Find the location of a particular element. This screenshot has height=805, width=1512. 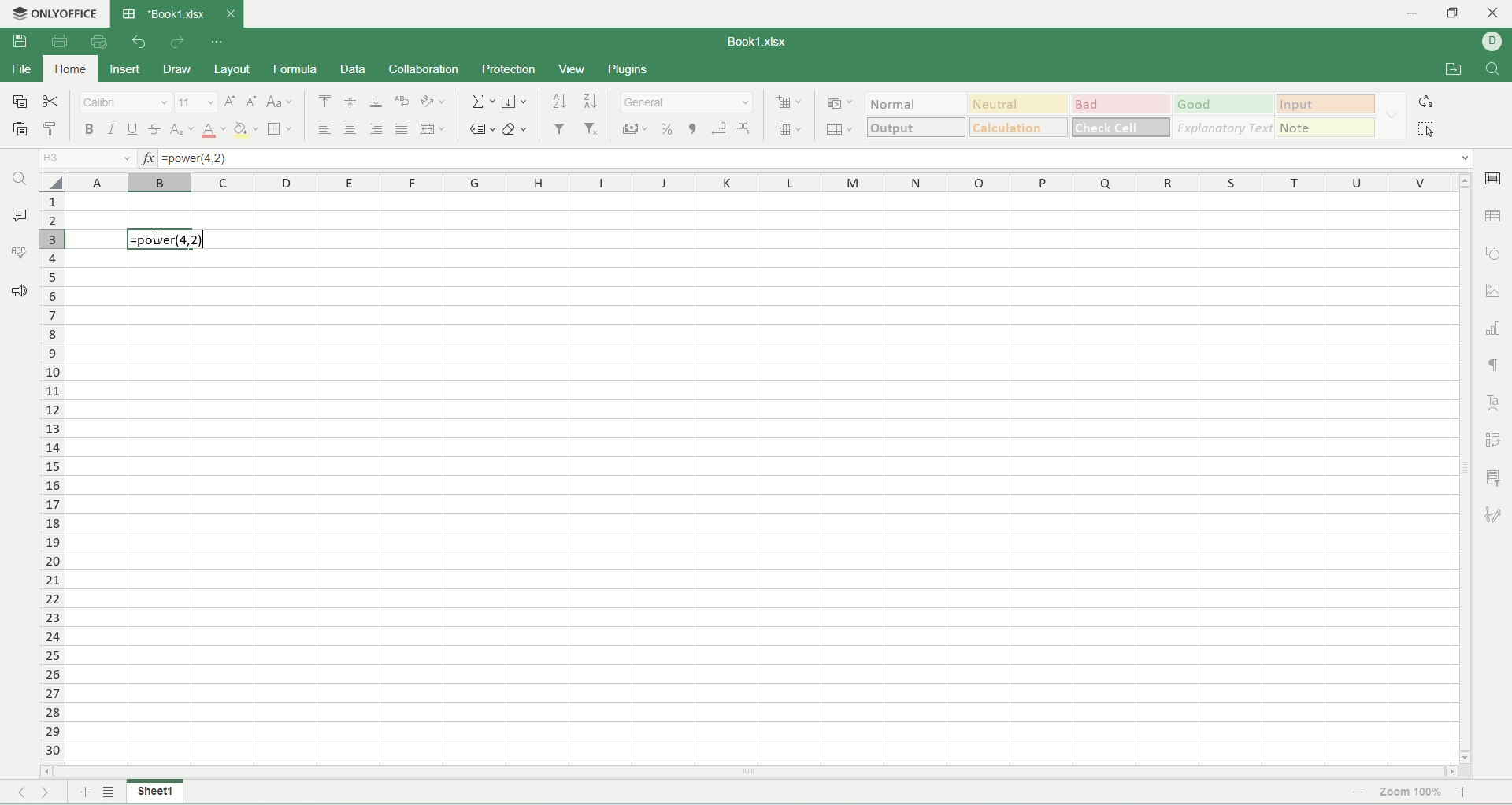

layout is located at coordinates (232, 71).